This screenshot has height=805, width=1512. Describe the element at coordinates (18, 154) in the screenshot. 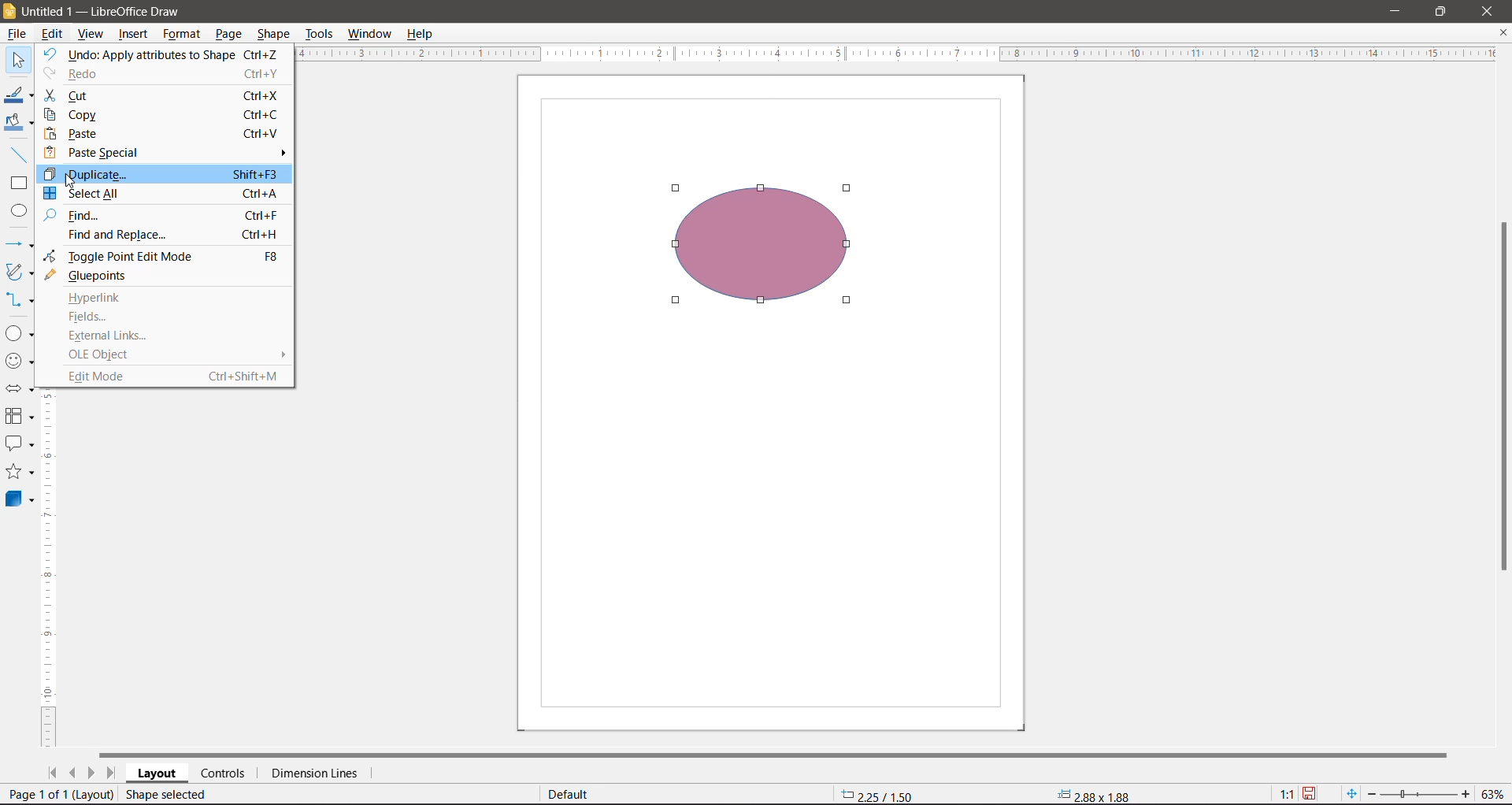

I see `Insert Line` at that location.